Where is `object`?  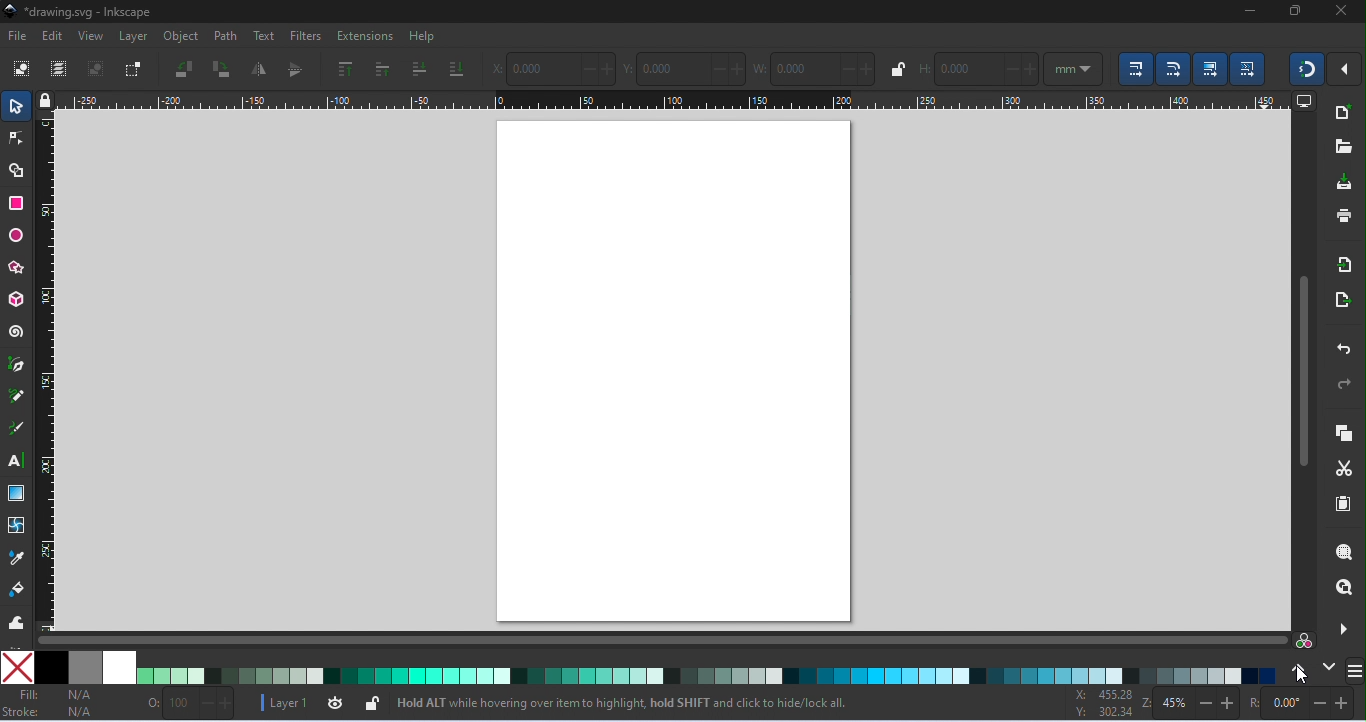
object is located at coordinates (181, 38).